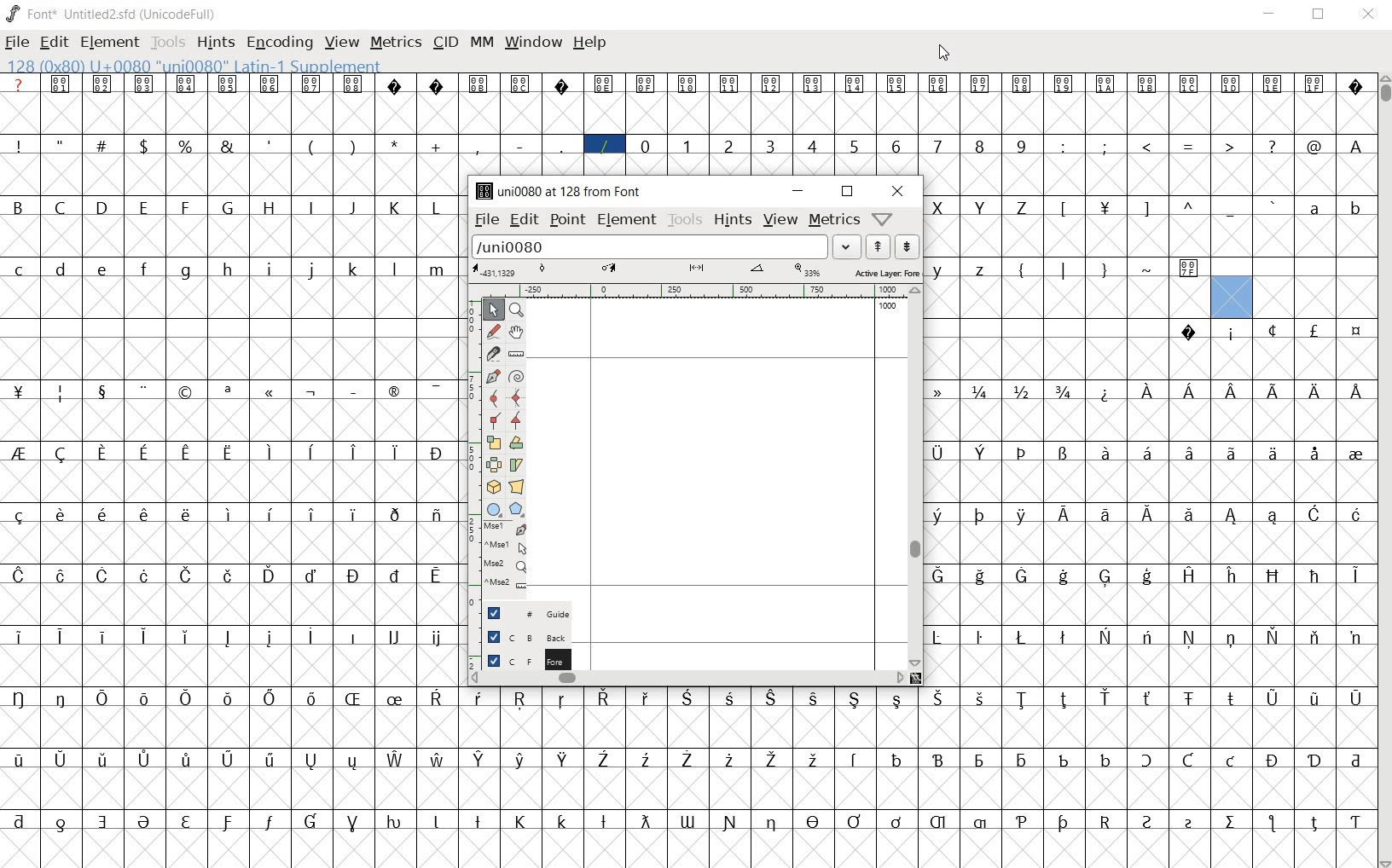 This screenshot has height=868, width=1392. I want to click on glyph, so click(1314, 147).